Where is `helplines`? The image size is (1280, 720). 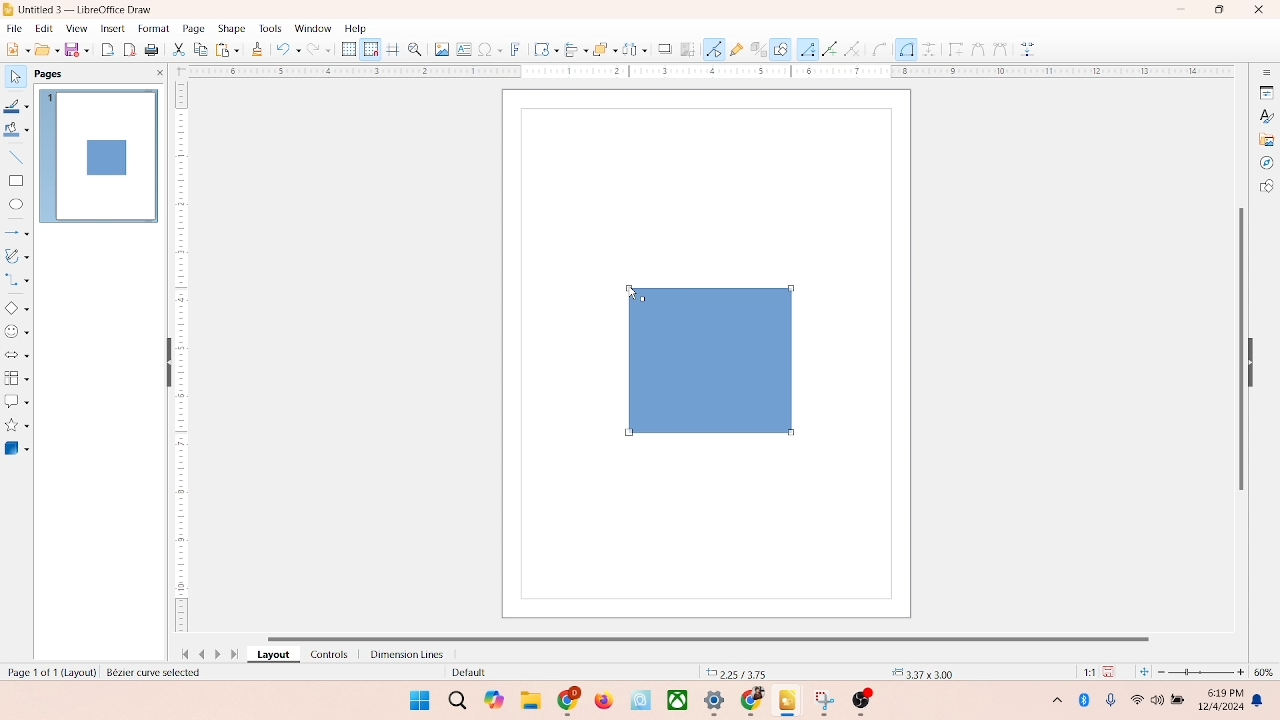 helplines is located at coordinates (392, 50).